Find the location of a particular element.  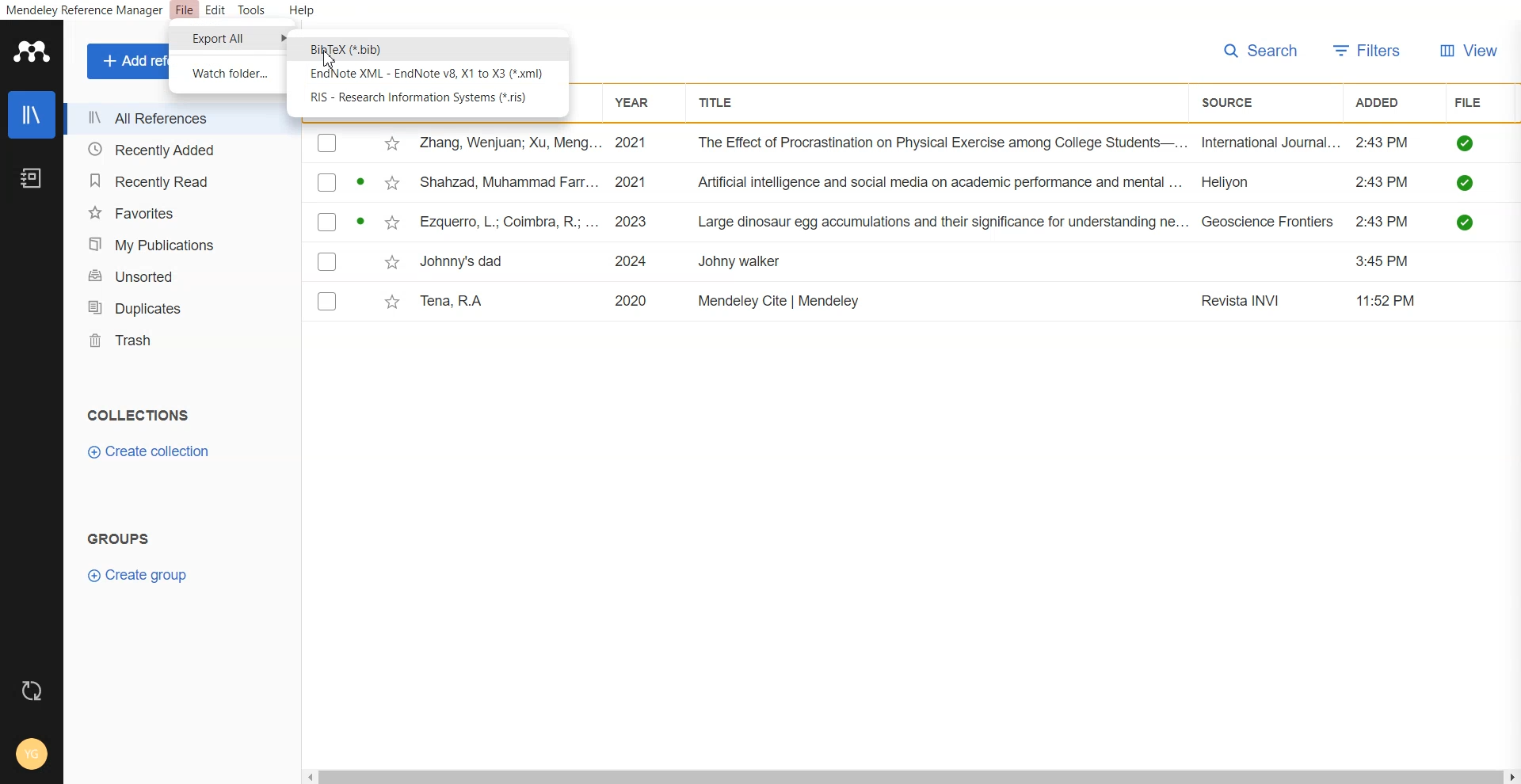

File is located at coordinates (1472, 101).